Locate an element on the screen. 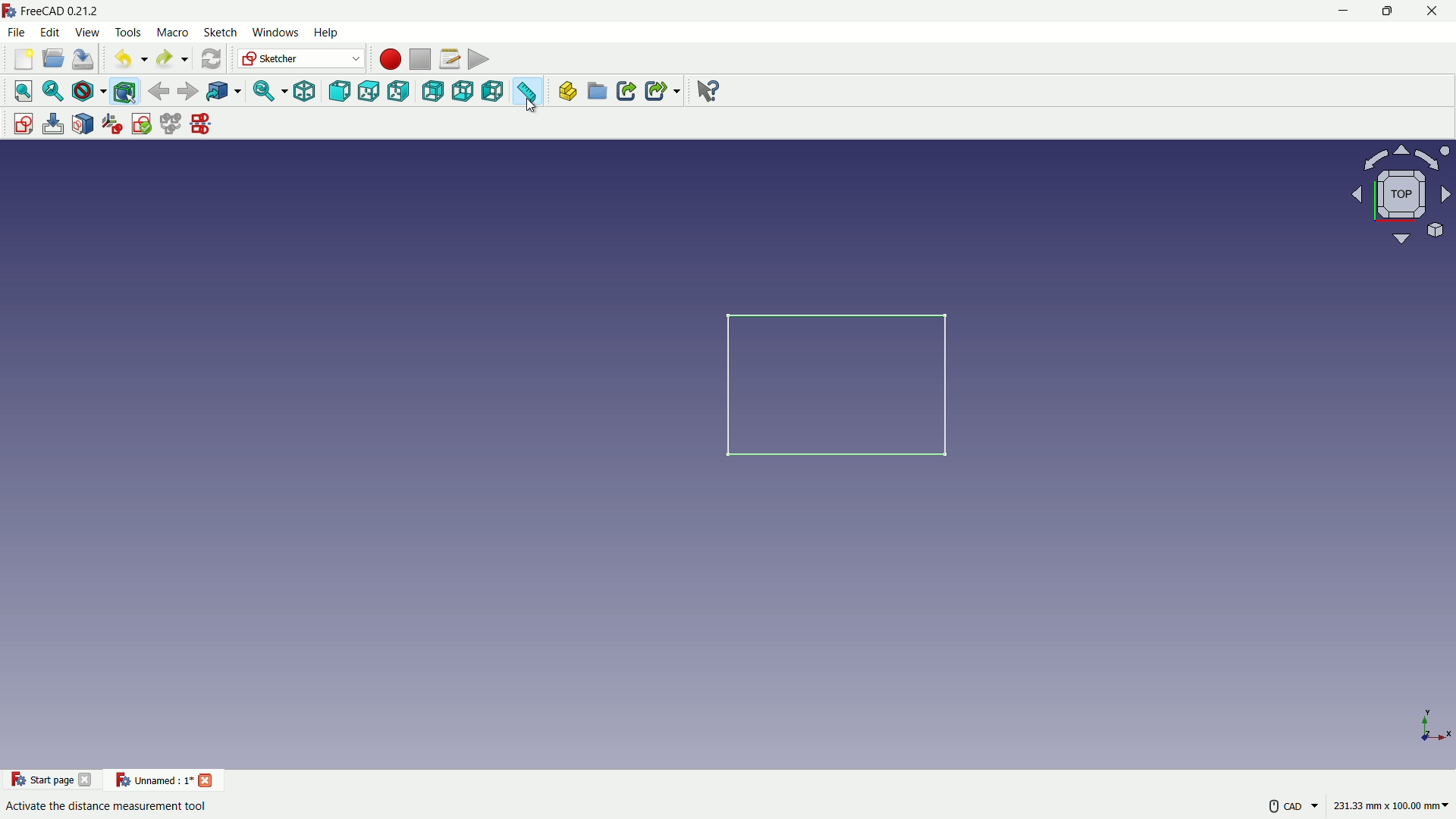  make sub link is located at coordinates (661, 91).